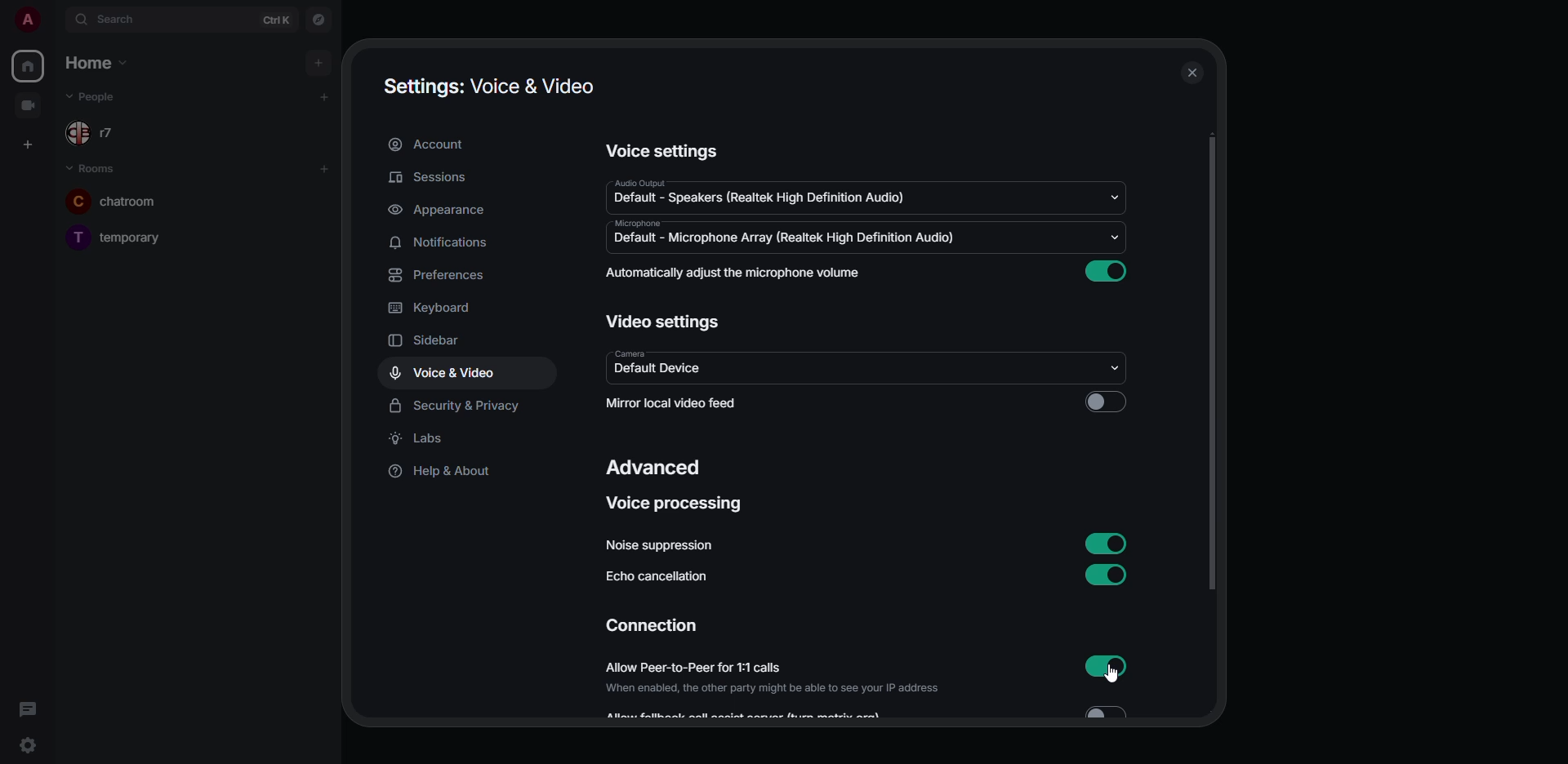 Image resolution: width=1568 pixels, height=764 pixels. I want to click on people, so click(104, 98).